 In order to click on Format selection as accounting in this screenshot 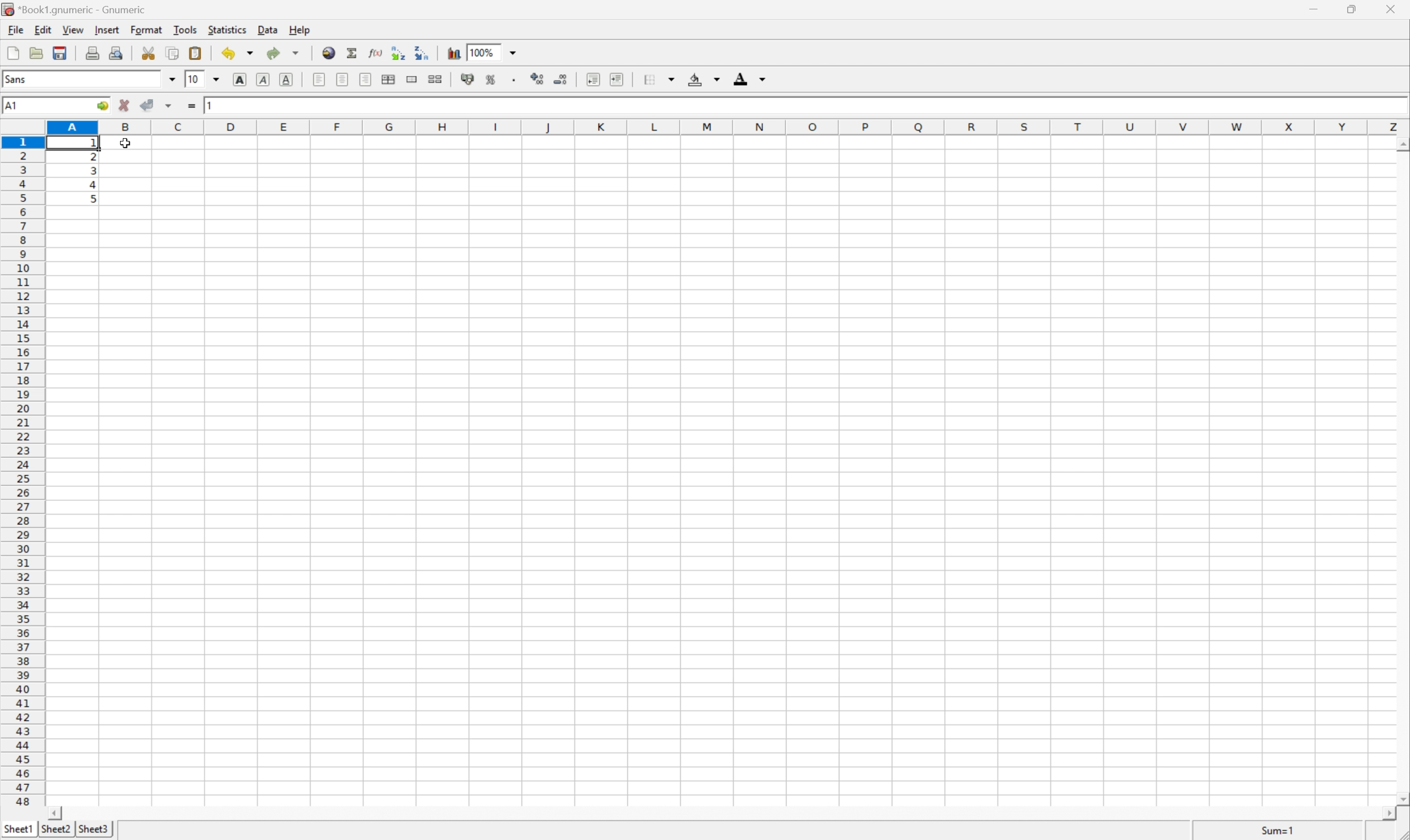, I will do `click(466, 79)`.